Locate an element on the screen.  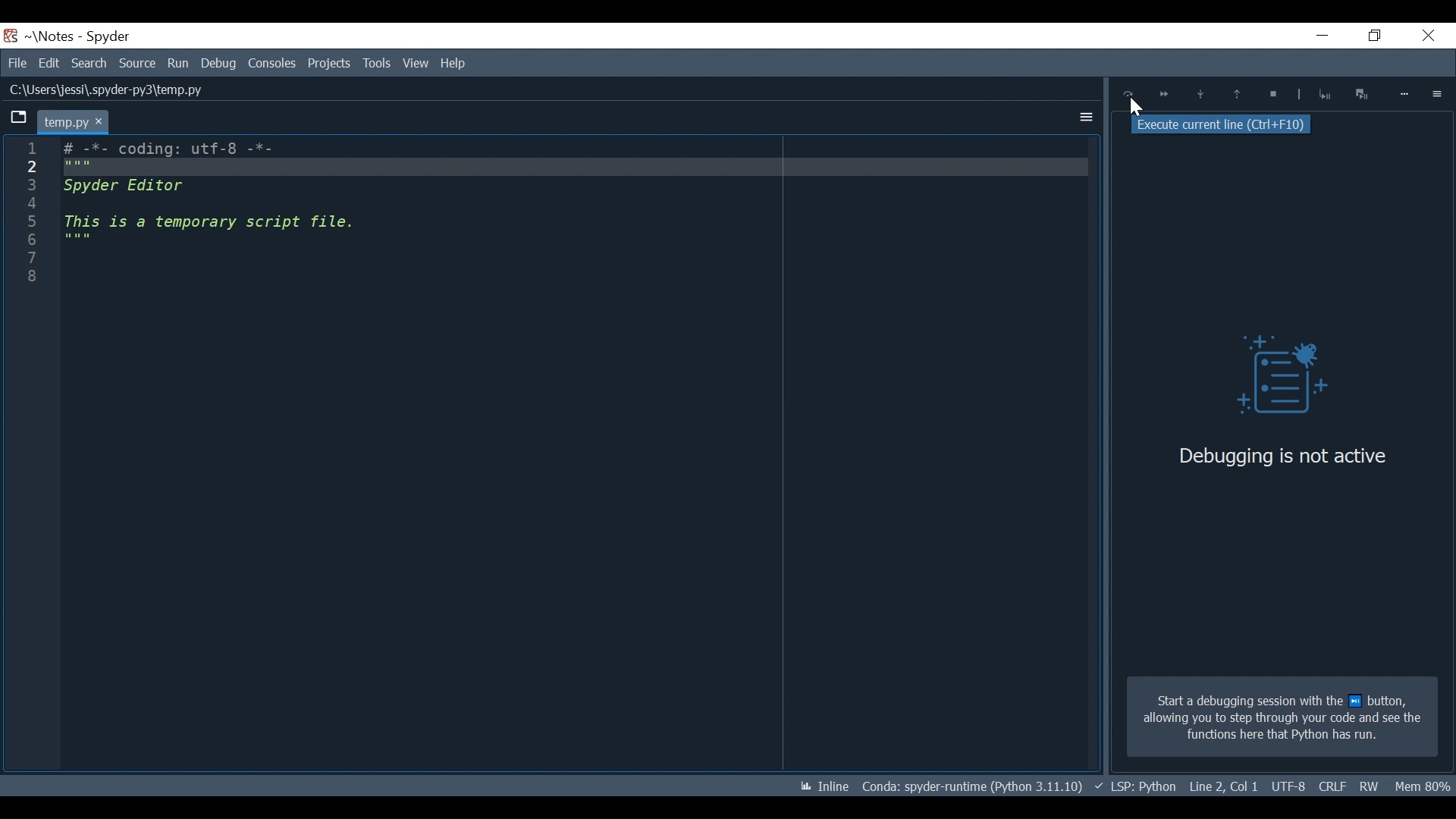
Search is located at coordinates (91, 63).